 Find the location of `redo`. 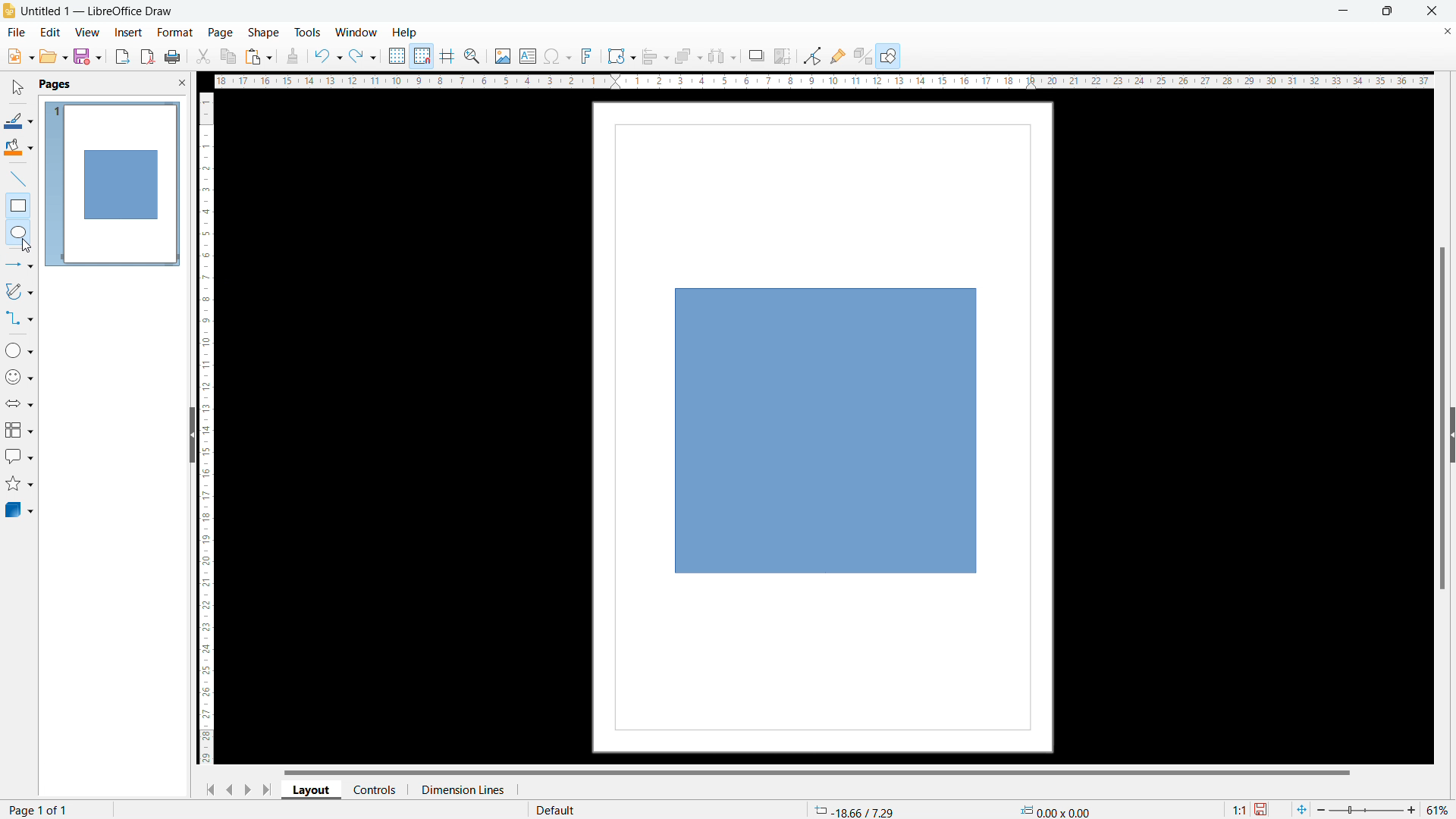

redo is located at coordinates (362, 57).